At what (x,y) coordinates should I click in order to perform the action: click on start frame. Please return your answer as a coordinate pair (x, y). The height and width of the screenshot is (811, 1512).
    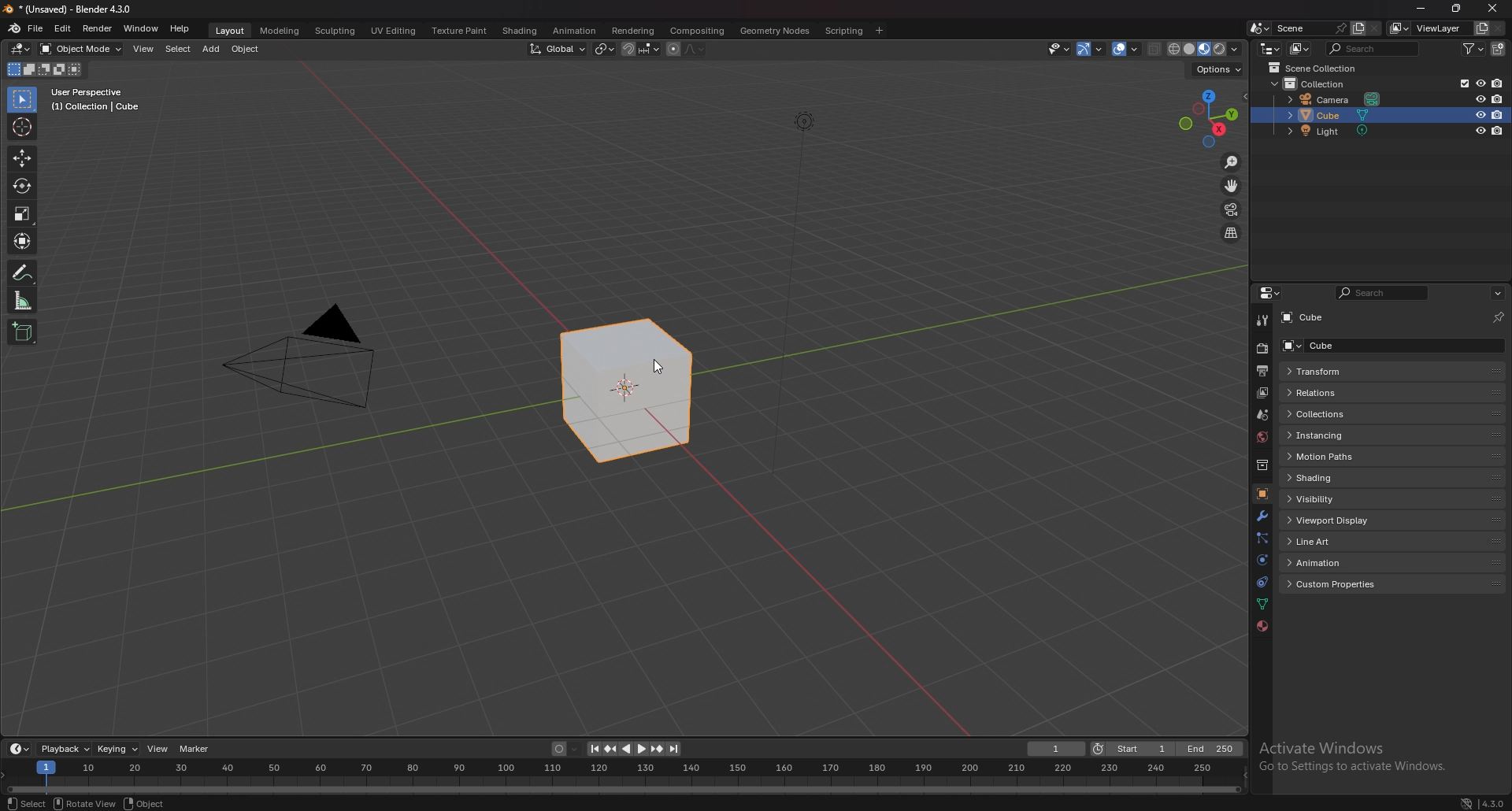
    Looking at the image, I should click on (1132, 748).